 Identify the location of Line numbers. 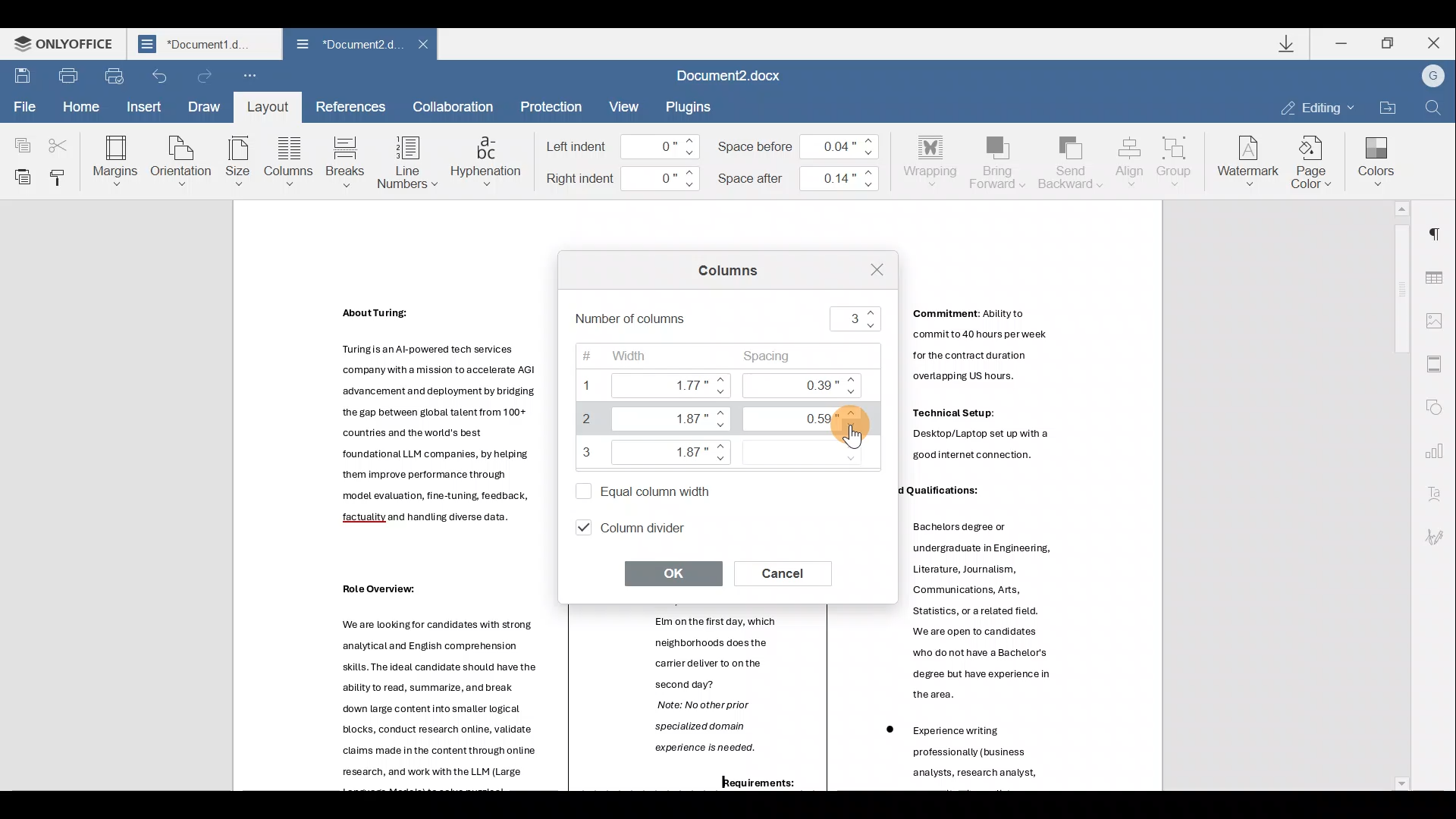
(406, 161).